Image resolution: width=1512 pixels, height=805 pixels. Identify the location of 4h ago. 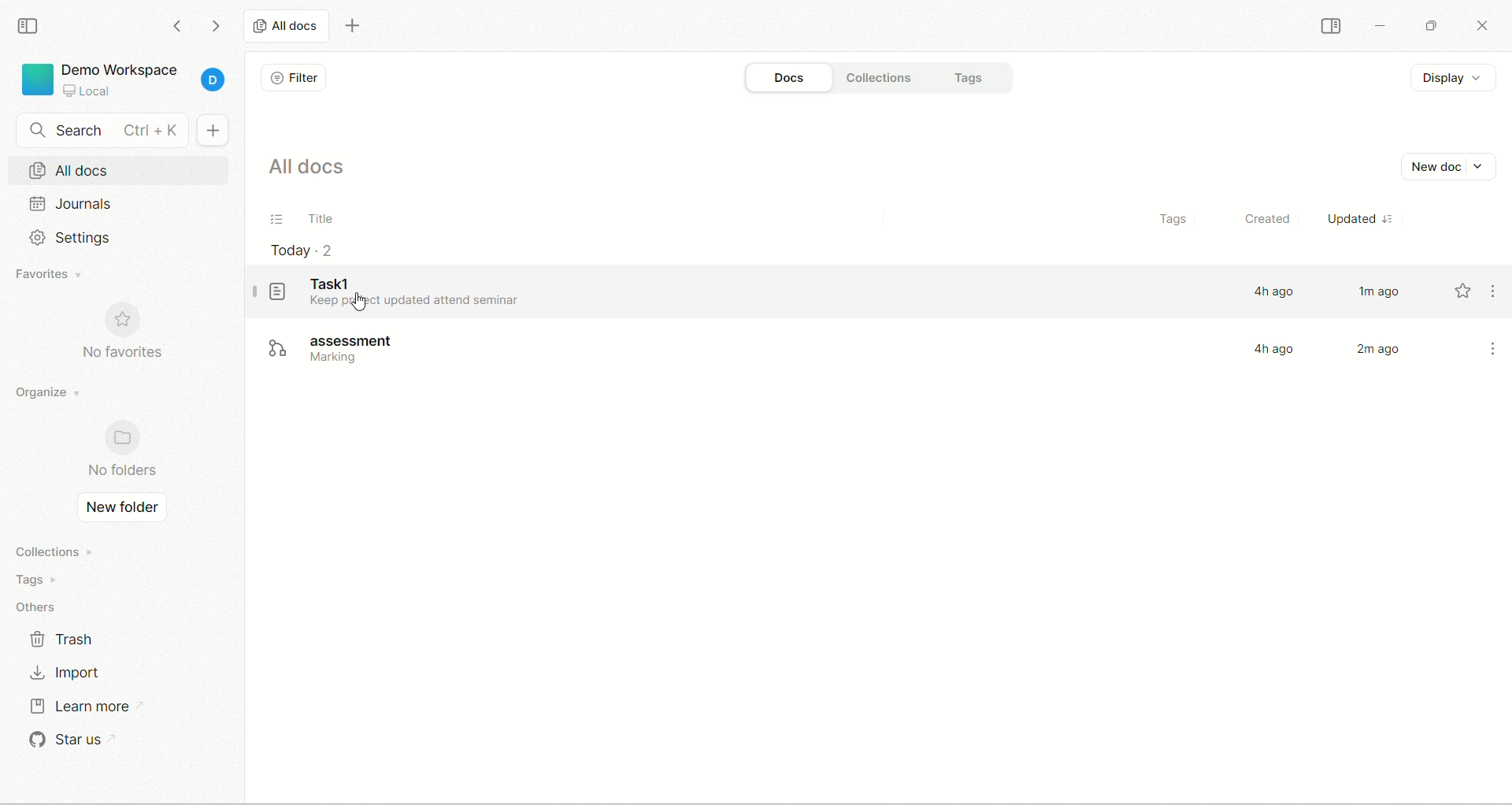
(1273, 292).